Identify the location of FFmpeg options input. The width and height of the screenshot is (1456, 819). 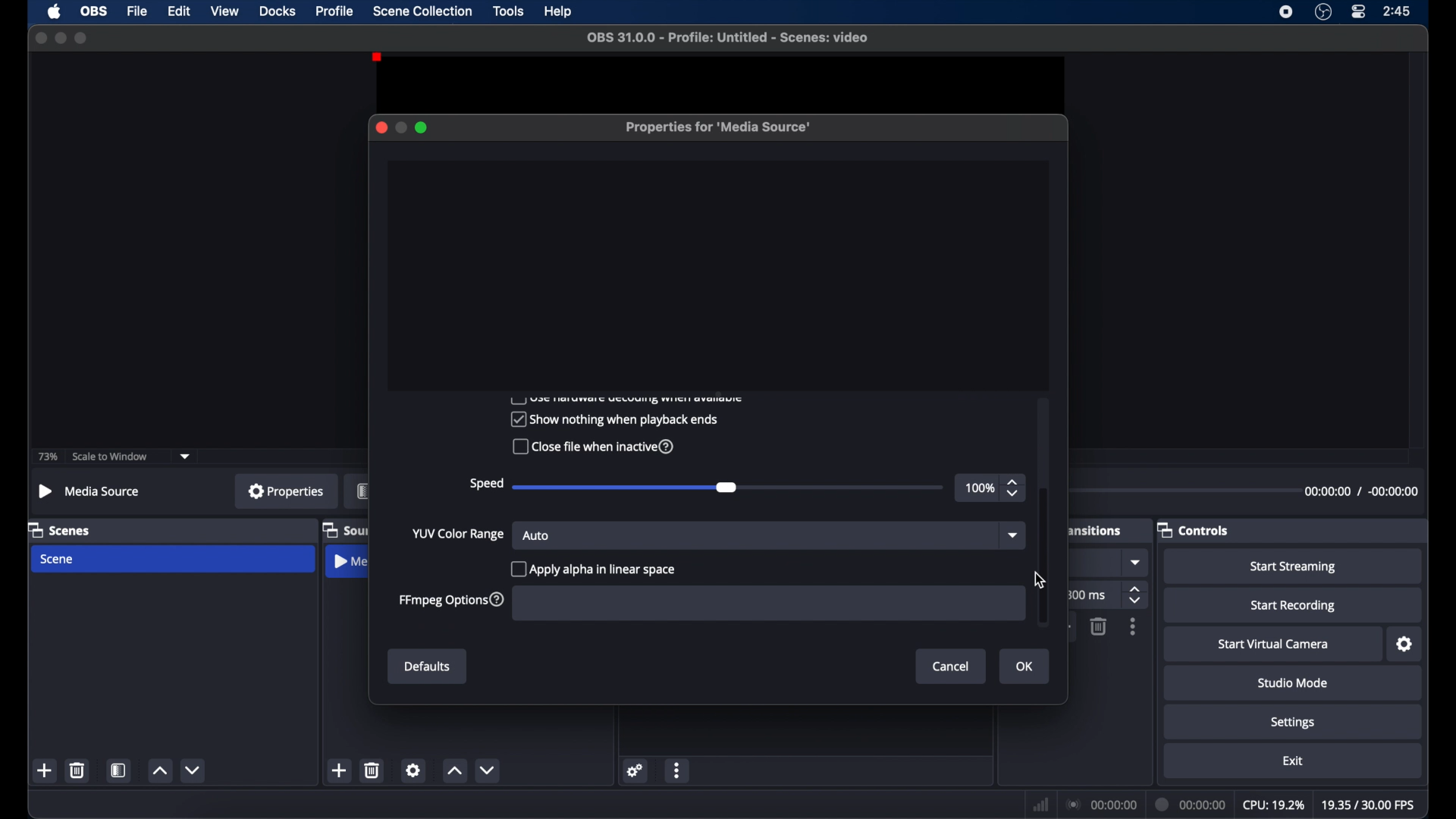
(763, 604).